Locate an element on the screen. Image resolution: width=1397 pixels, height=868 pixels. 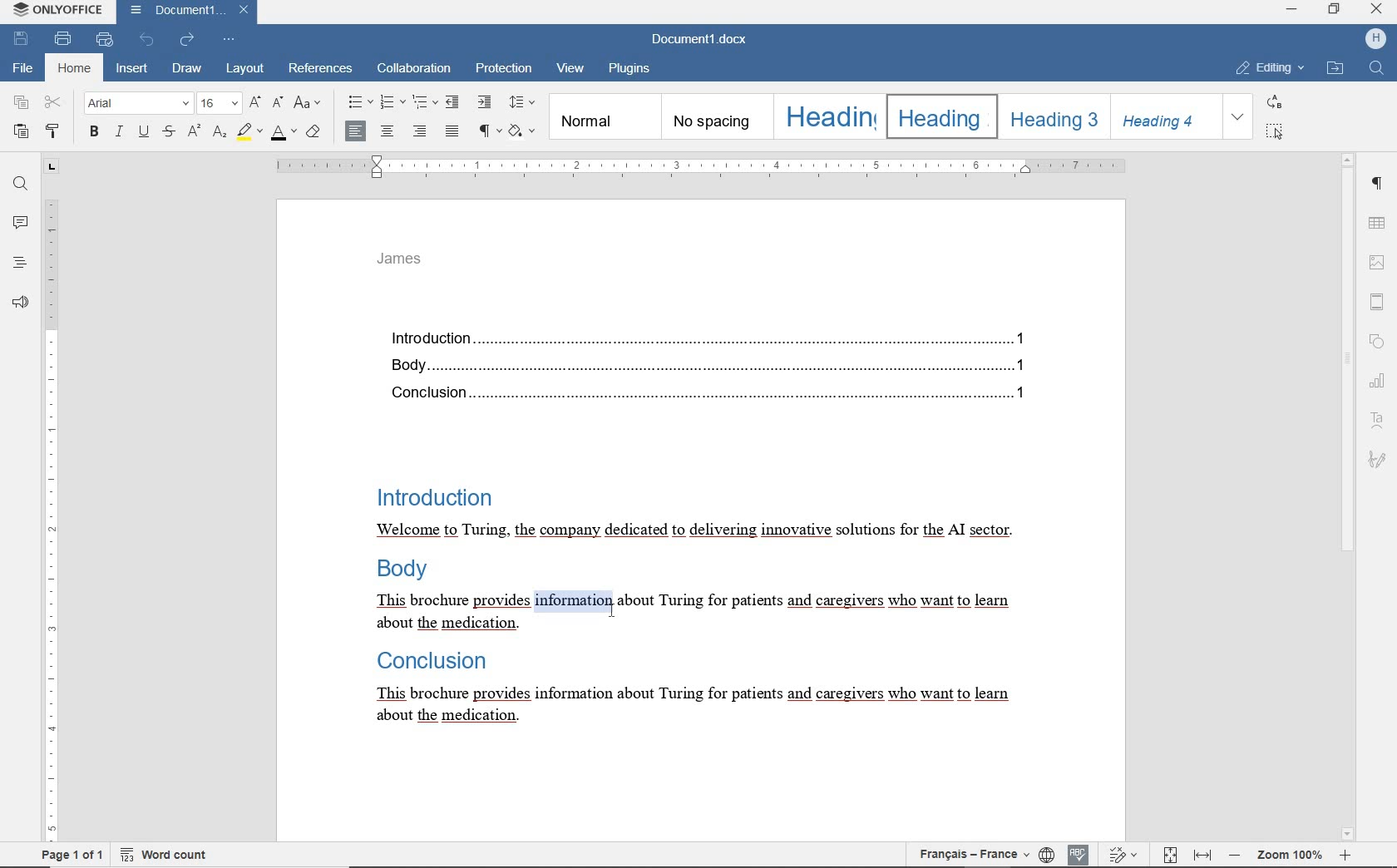
ZOOM 100% is located at coordinates (1287, 854).